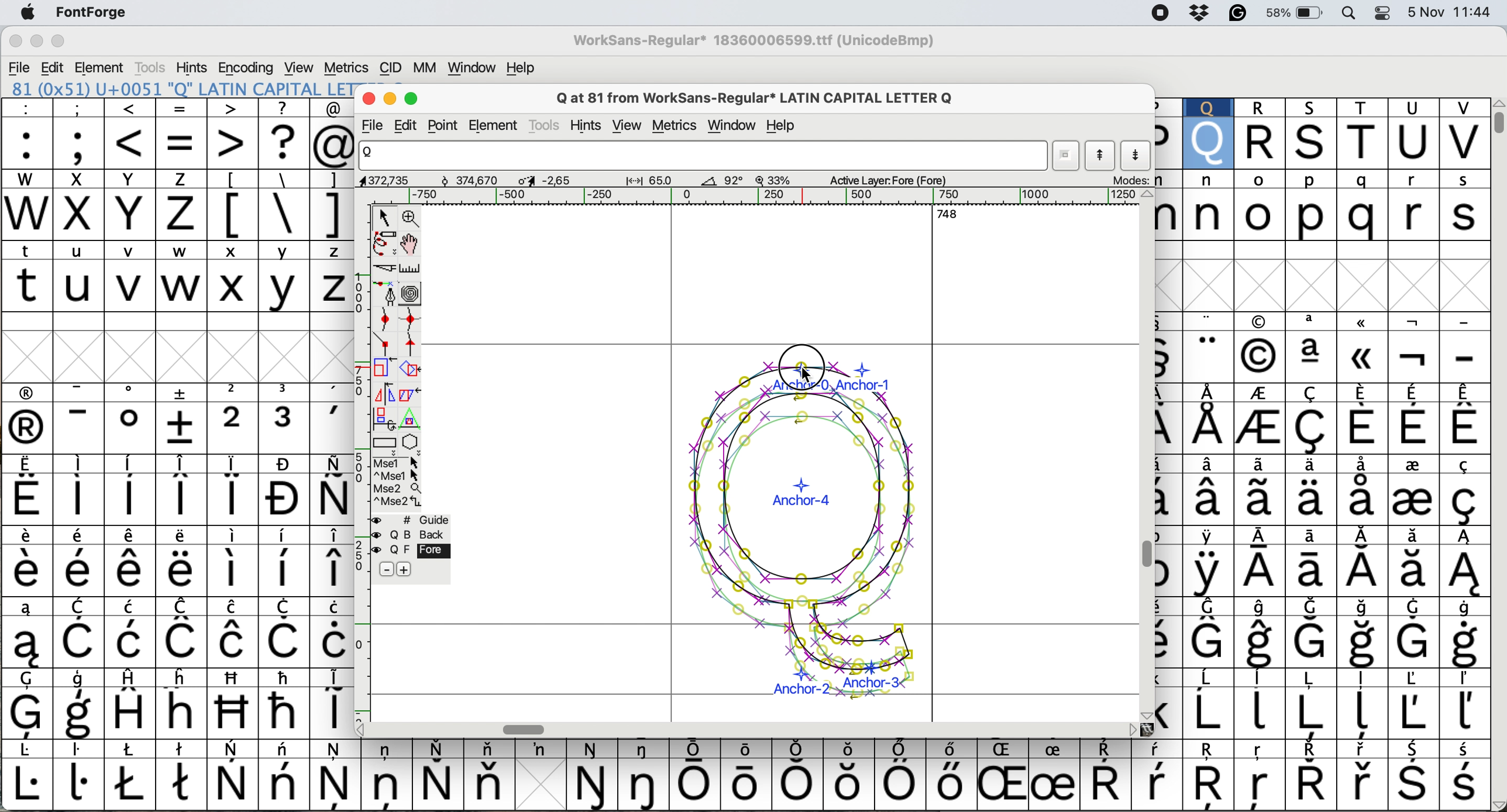  I want to click on modes, so click(1134, 181).